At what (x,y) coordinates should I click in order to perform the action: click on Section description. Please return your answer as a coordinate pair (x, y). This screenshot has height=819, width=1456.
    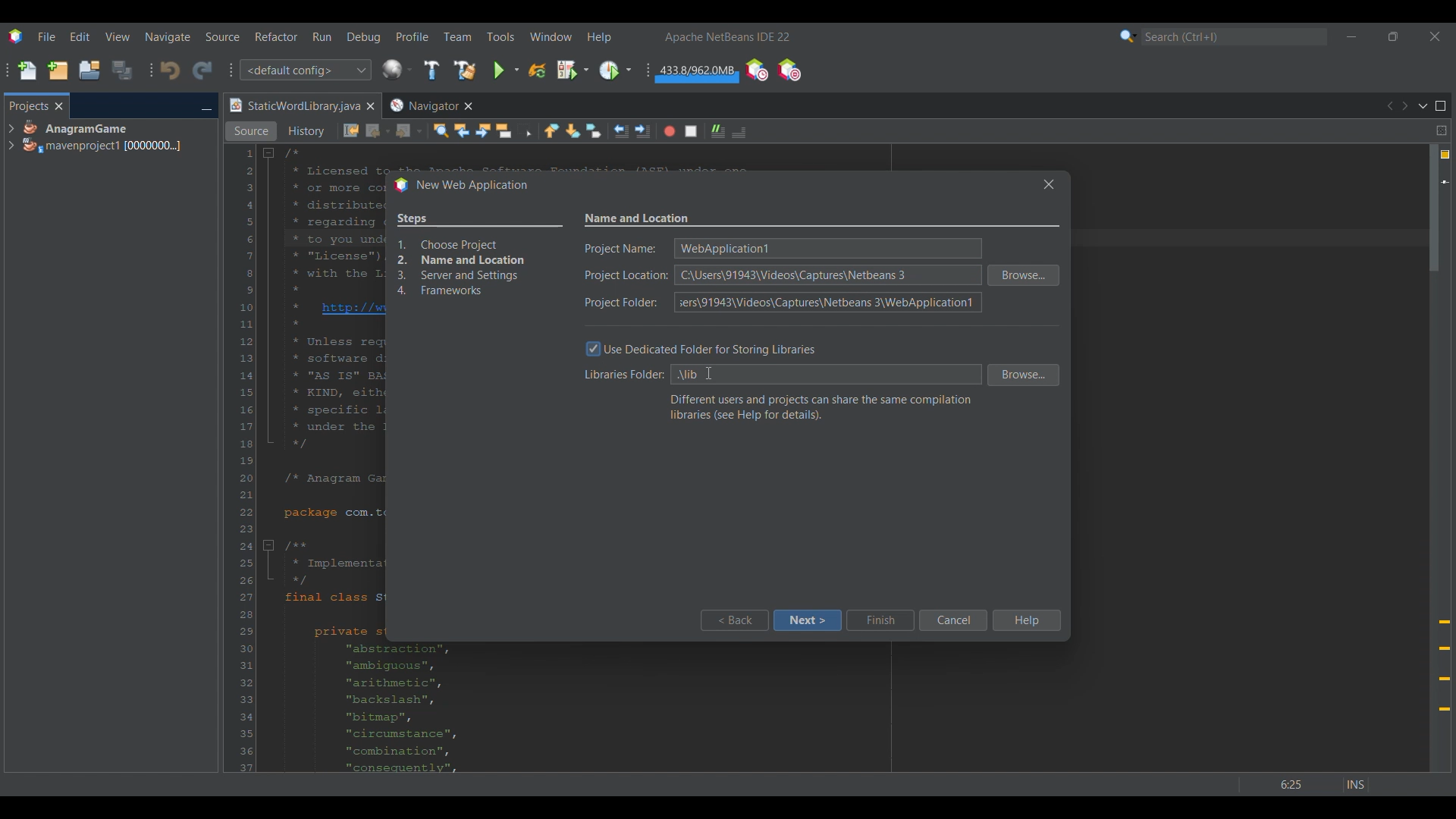
    Looking at the image, I should click on (821, 407).